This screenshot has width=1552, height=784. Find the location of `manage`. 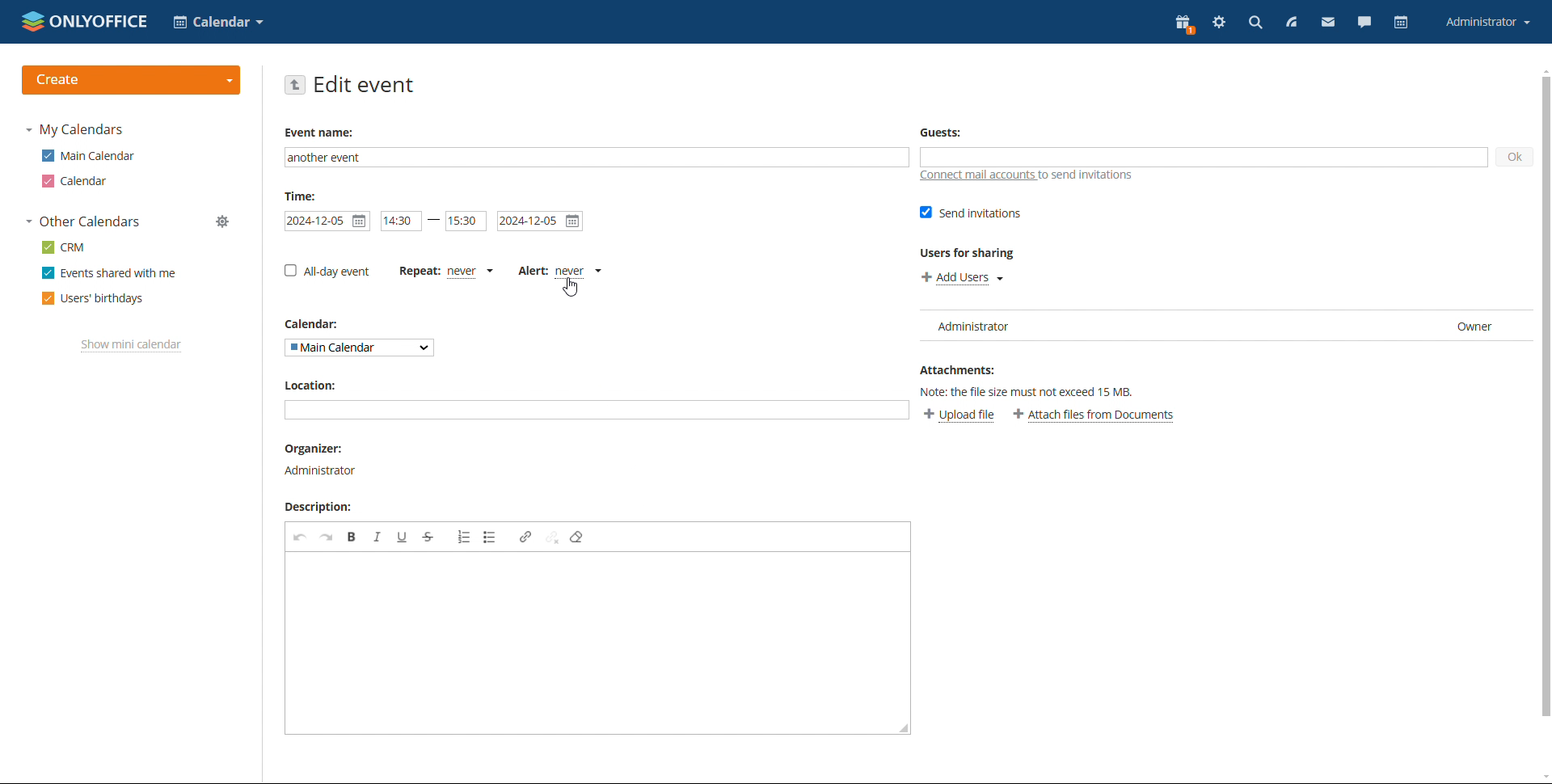

manage is located at coordinates (224, 221).